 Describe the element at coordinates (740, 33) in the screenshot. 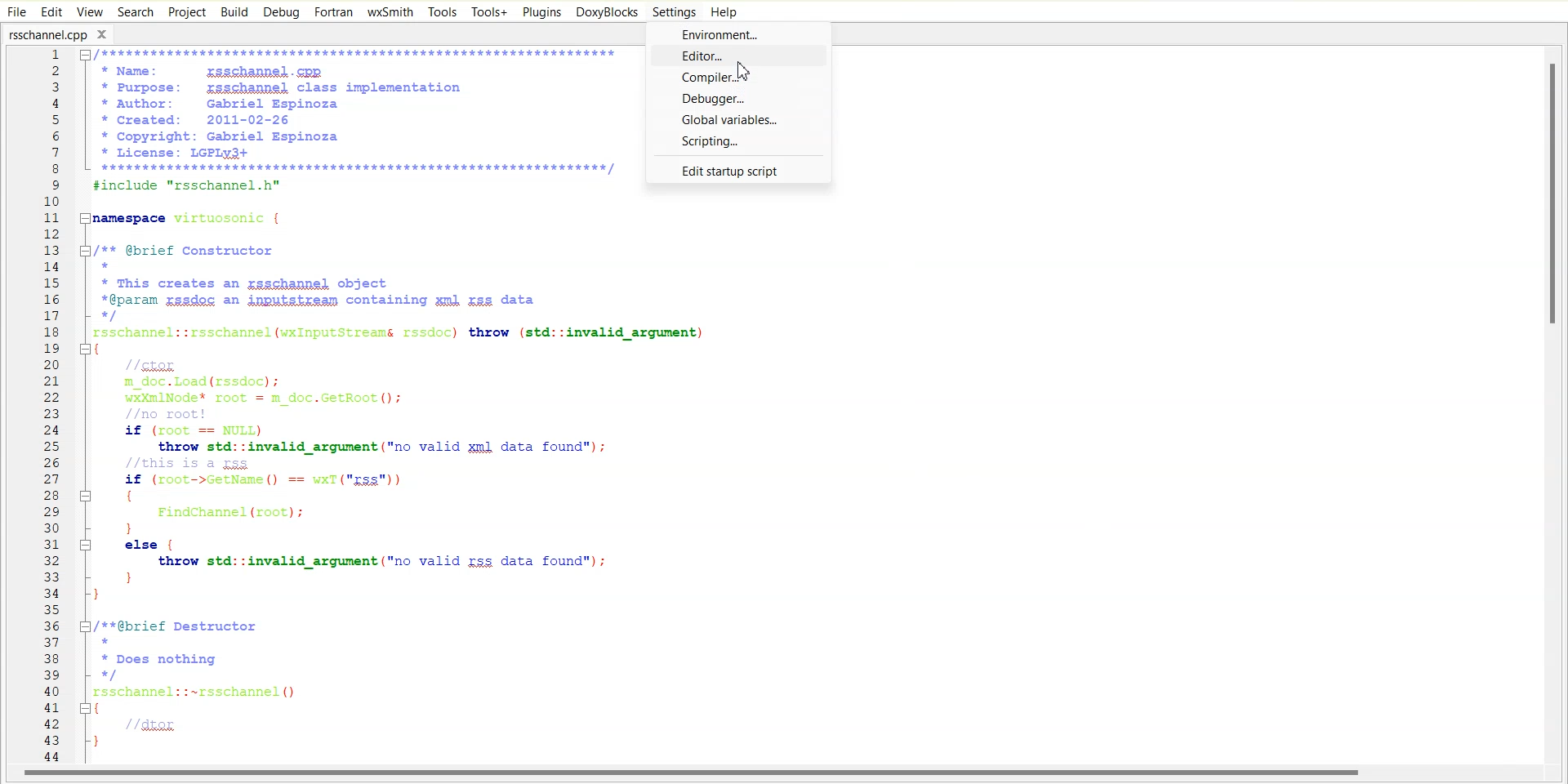

I see `Environment` at that location.